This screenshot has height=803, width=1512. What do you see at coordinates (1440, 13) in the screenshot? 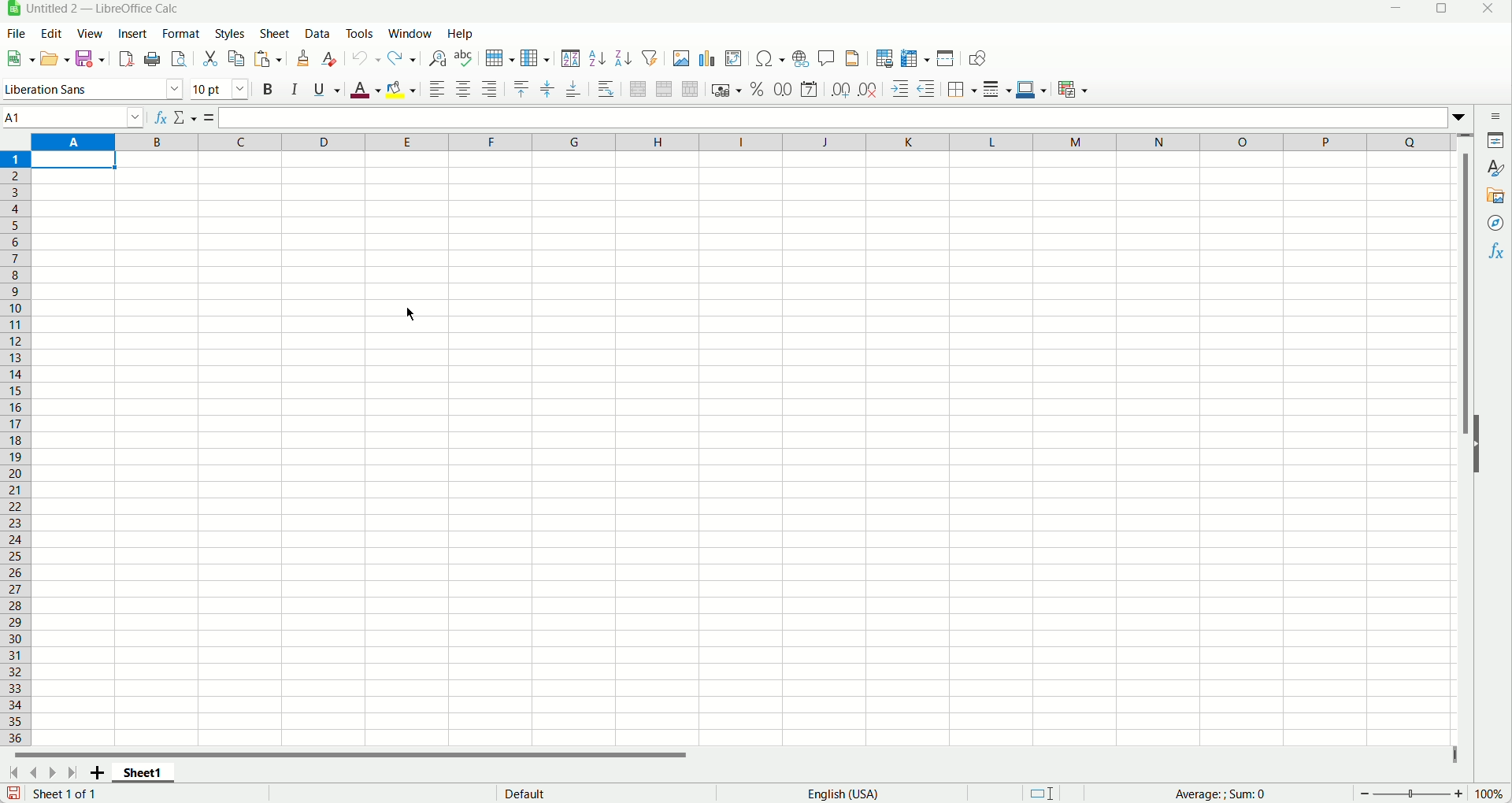
I see `Maximize` at bounding box center [1440, 13].